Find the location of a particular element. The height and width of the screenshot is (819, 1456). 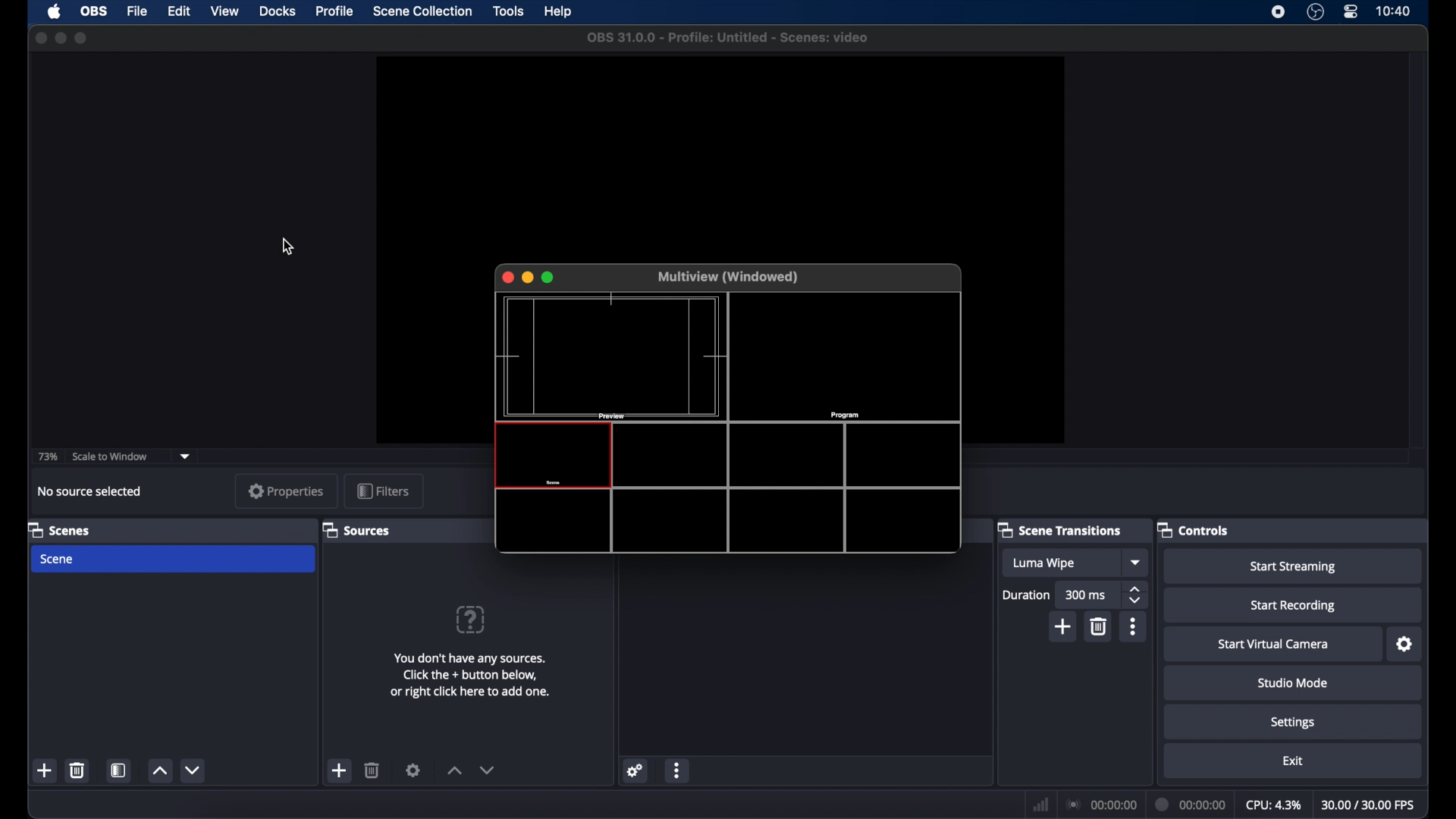

increment is located at coordinates (453, 770).